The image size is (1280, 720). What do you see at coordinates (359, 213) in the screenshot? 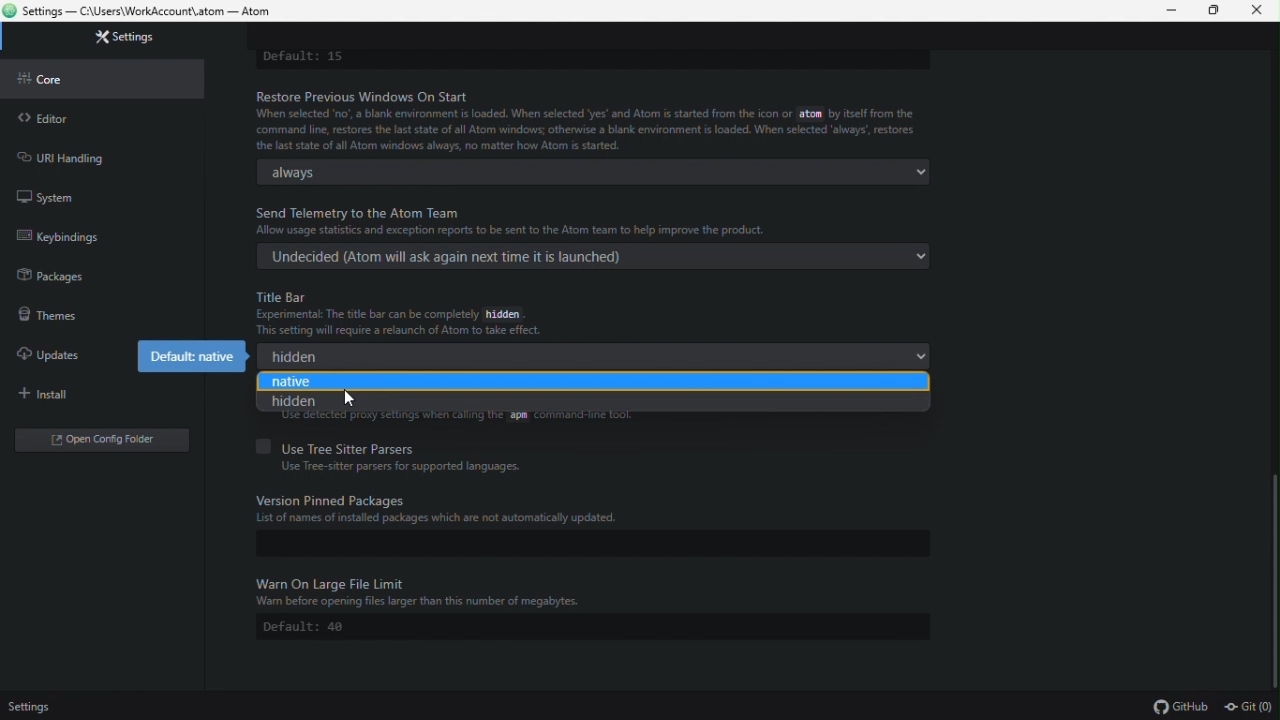
I see `Send Telemetry to the Atom Team` at bounding box center [359, 213].